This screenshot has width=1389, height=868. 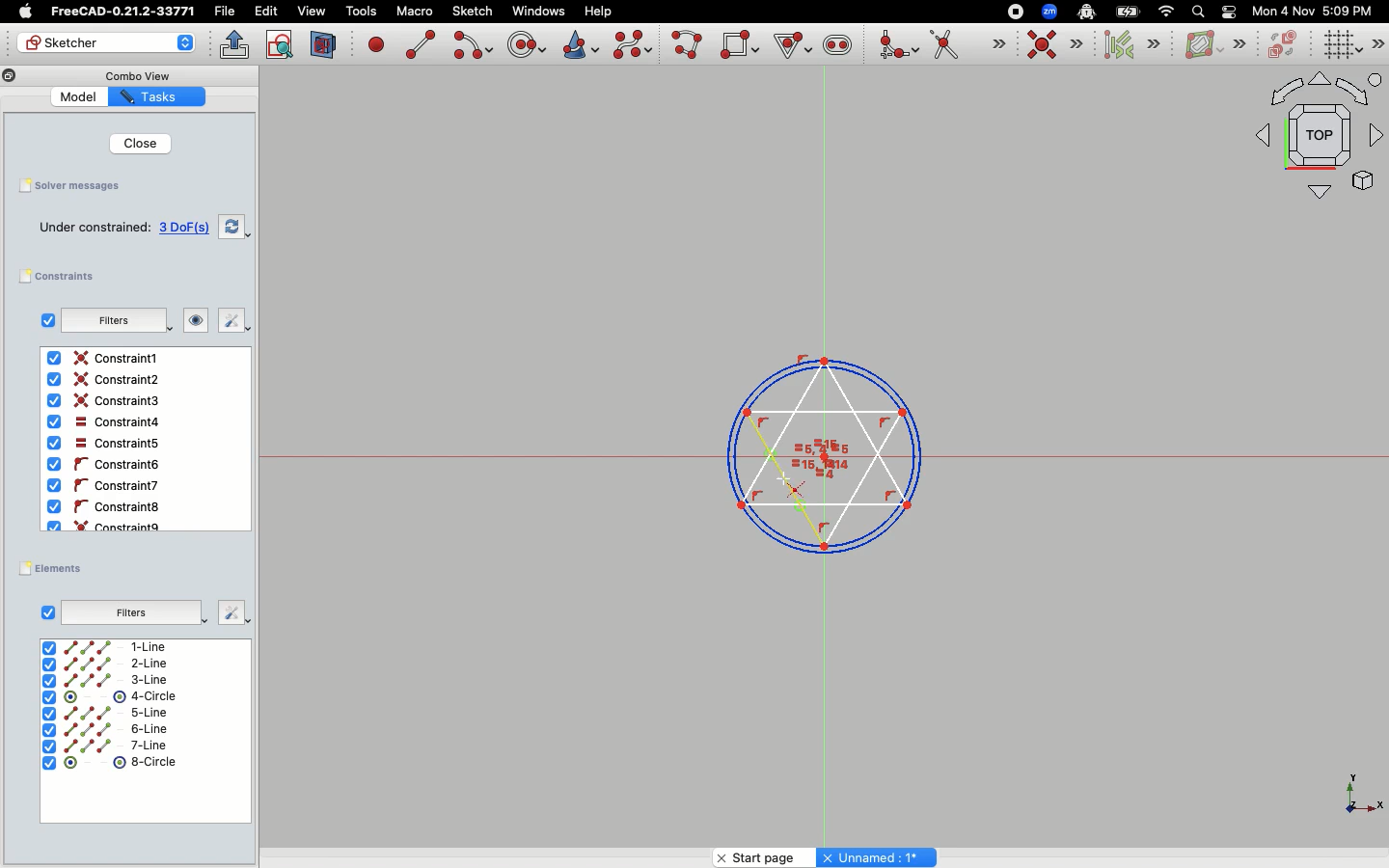 What do you see at coordinates (538, 12) in the screenshot?
I see `Windows` at bounding box center [538, 12].